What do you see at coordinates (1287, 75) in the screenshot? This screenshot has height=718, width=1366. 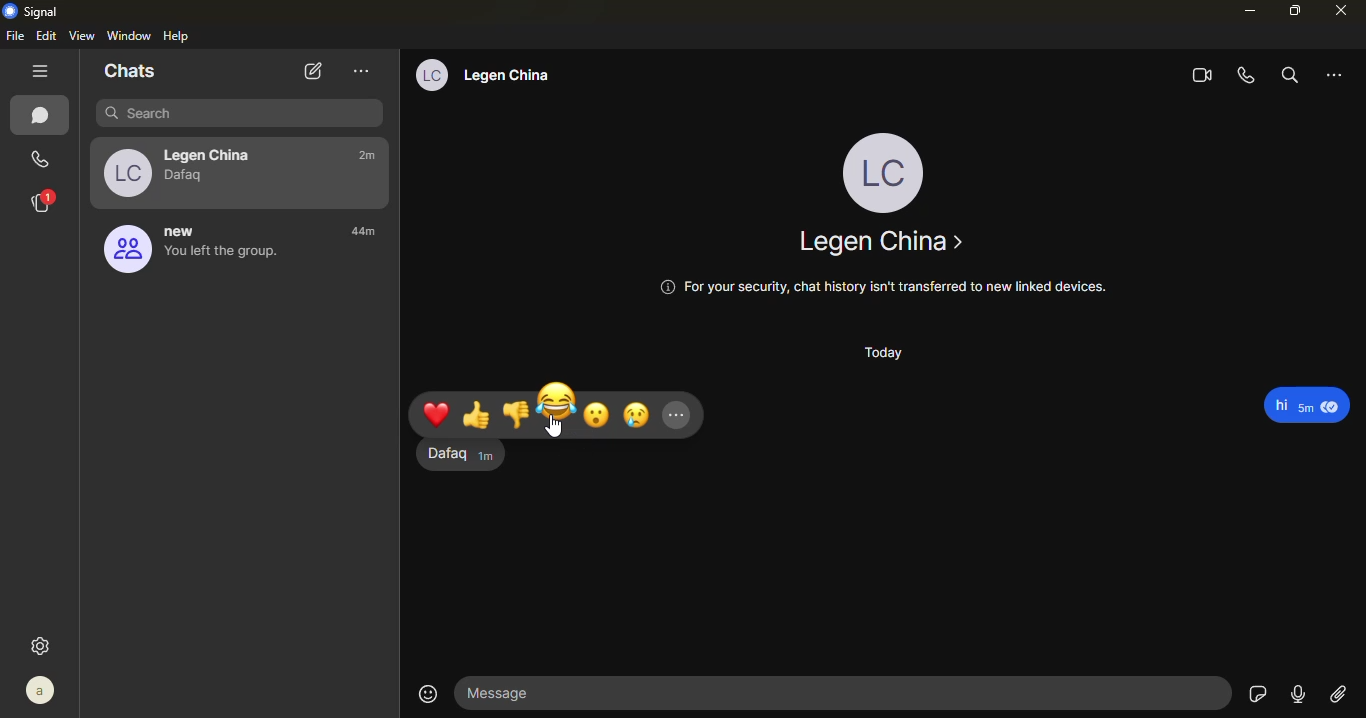 I see `search` at bounding box center [1287, 75].